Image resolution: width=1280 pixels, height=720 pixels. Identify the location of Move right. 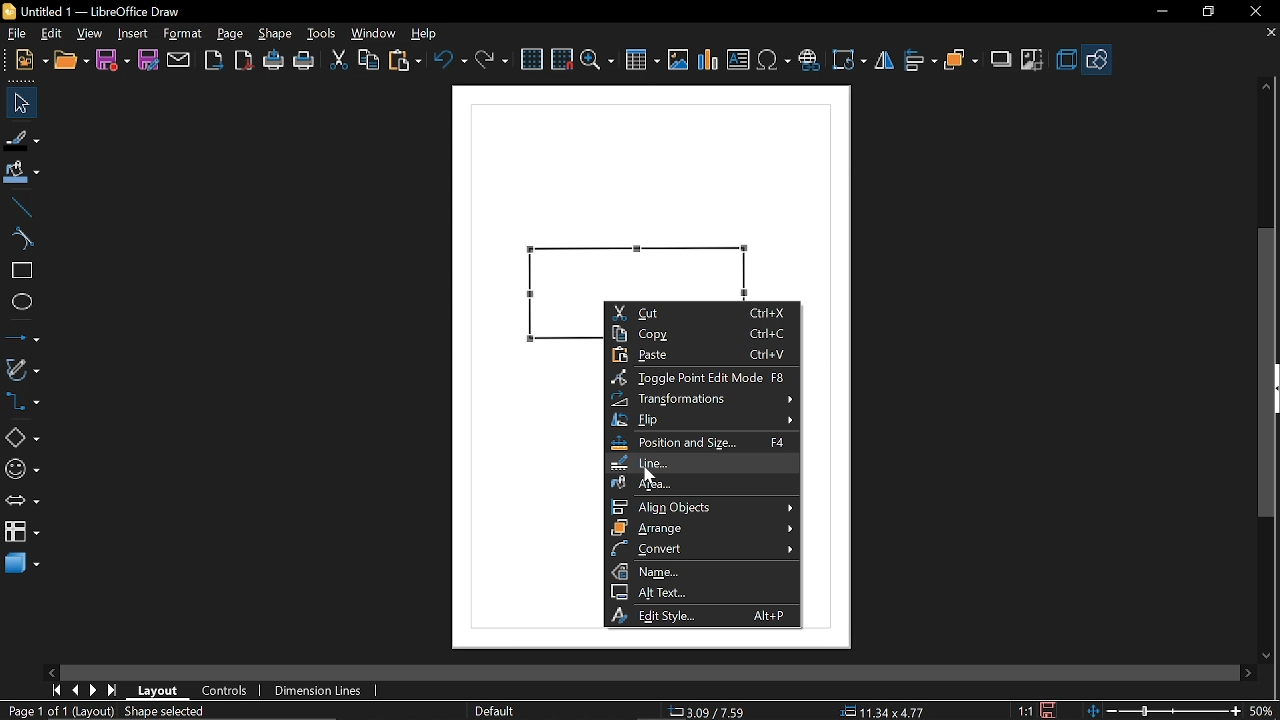
(1247, 673).